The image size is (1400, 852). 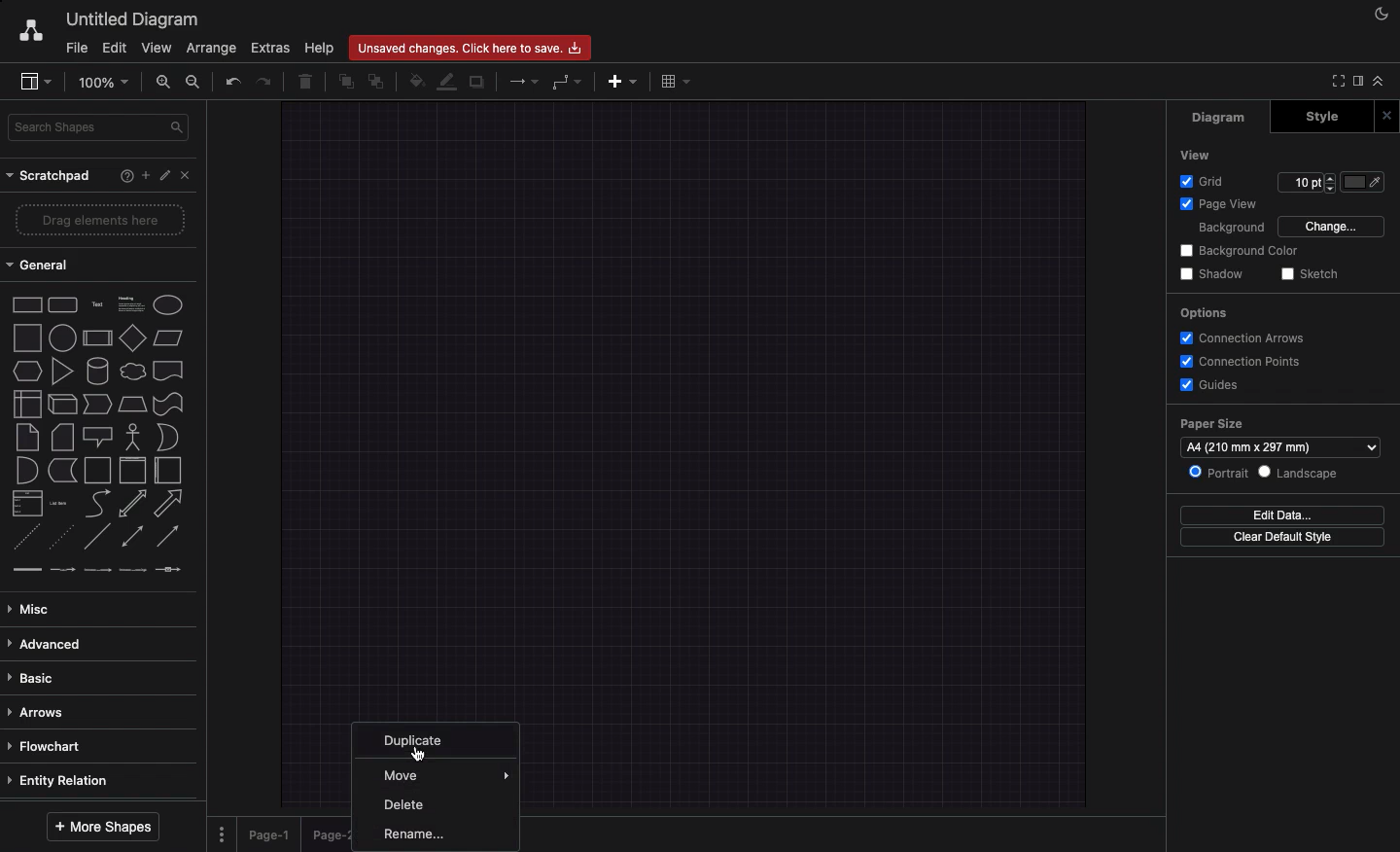 I want to click on Change, so click(x=1330, y=226).